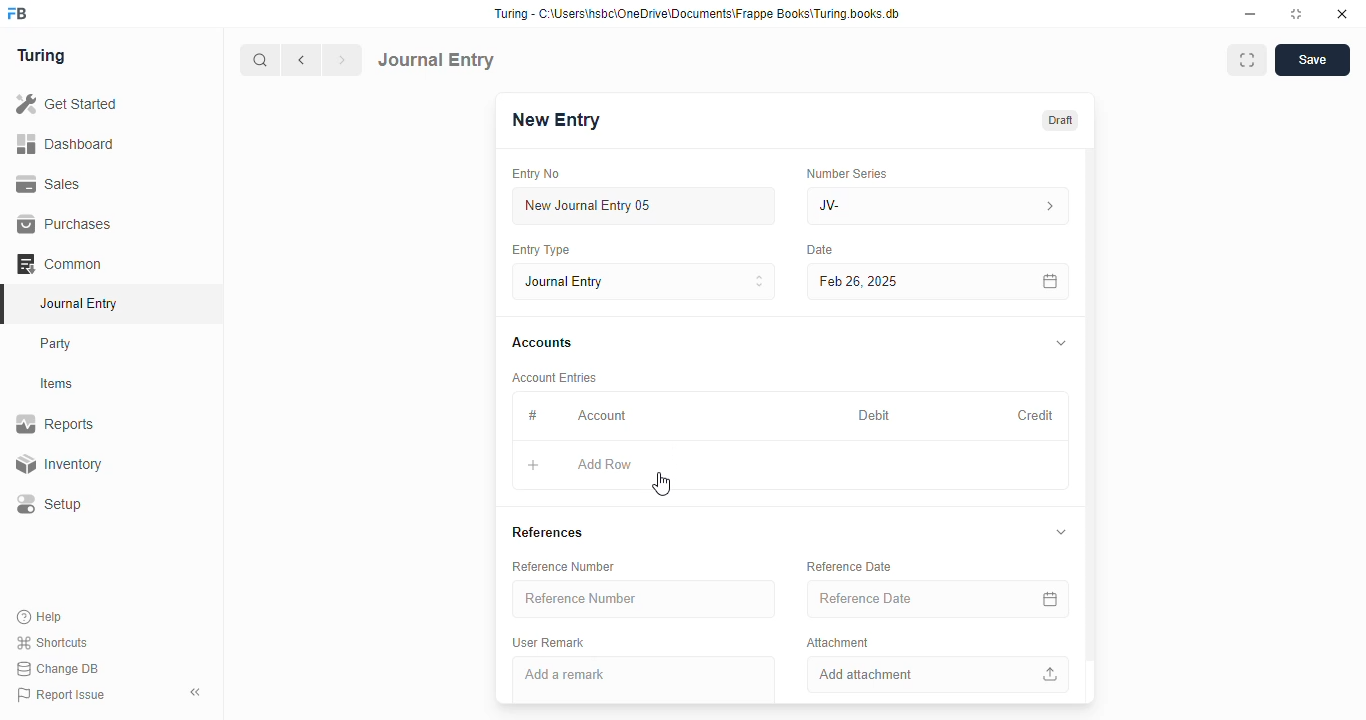 This screenshot has width=1366, height=720. I want to click on Feb 26, 2025, so click(895, 281).